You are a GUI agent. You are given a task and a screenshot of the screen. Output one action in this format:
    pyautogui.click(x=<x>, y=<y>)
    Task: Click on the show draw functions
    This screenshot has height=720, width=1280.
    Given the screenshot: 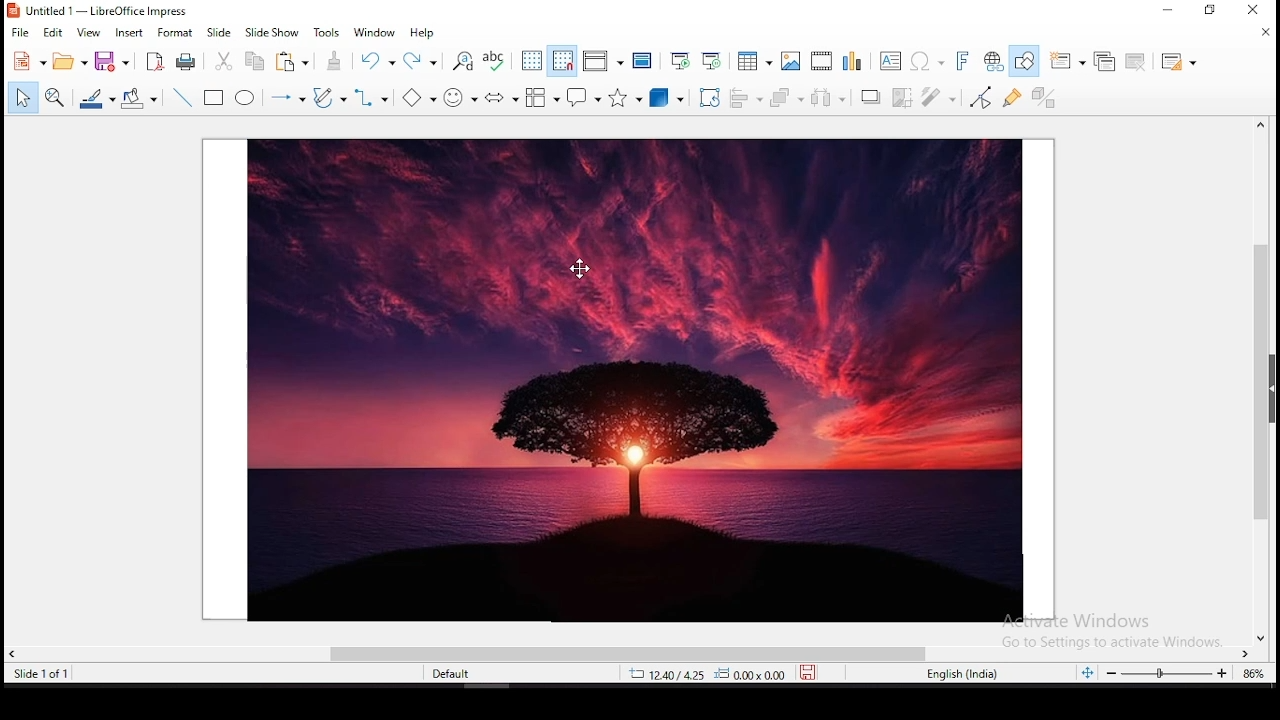 What is the action you would take?
    pyautogui.click(x=1028, y=60)
    